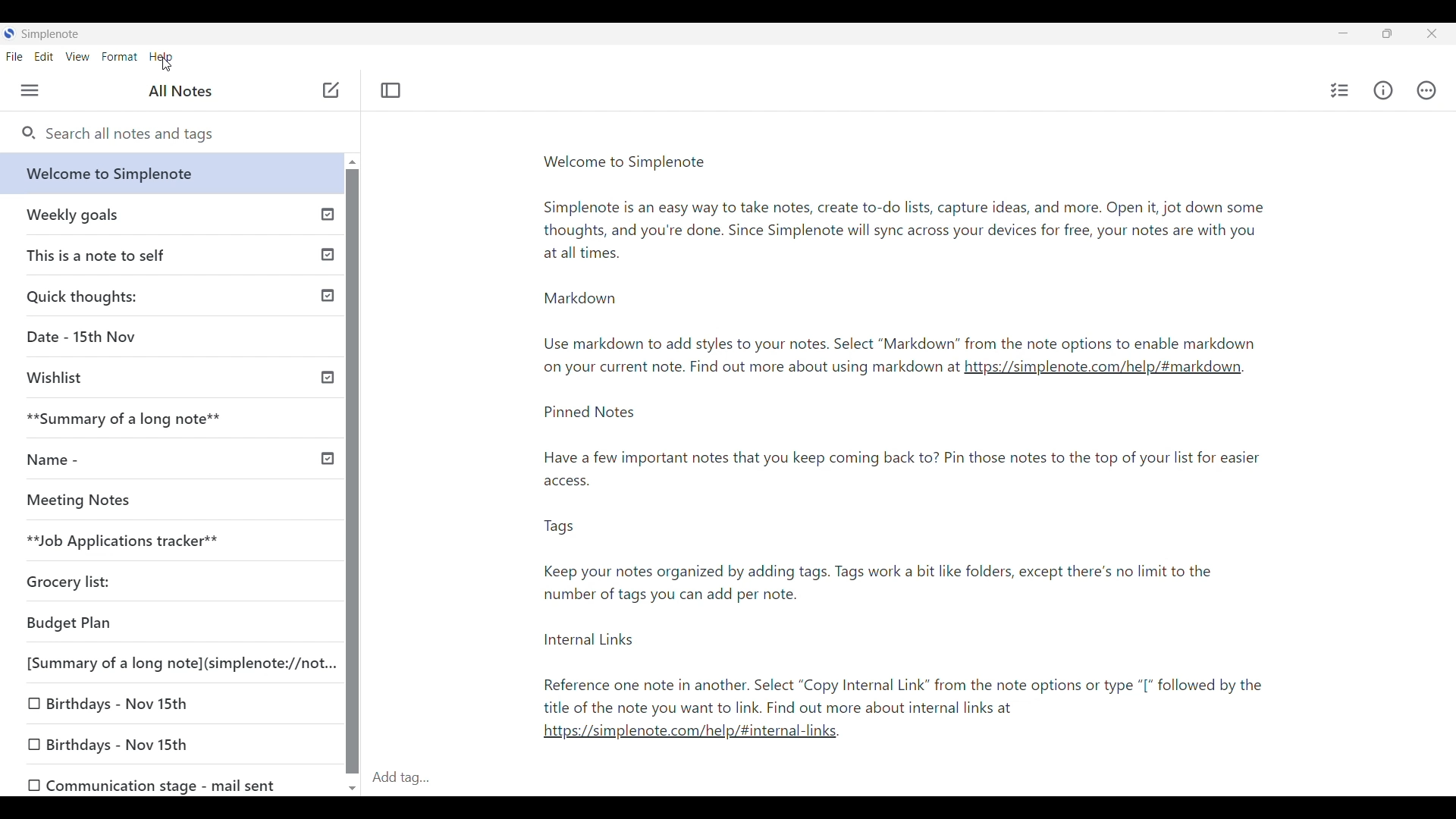  What do you see at coordinates (156, 253) in the screenshot?
I see `This is a note to self` at bounding box center [156, 253].